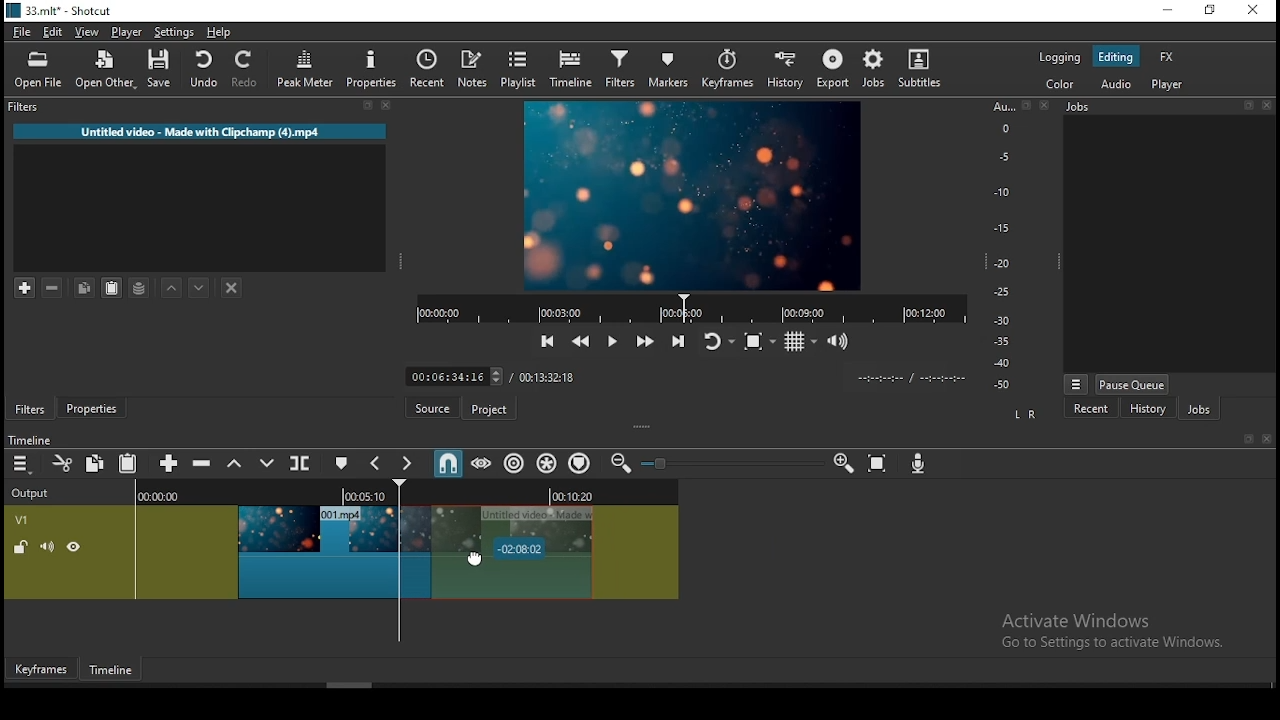  What do you see at coordinates (1043, 106) in the screenshot?
I see `` at bounding box center [1043, 106].